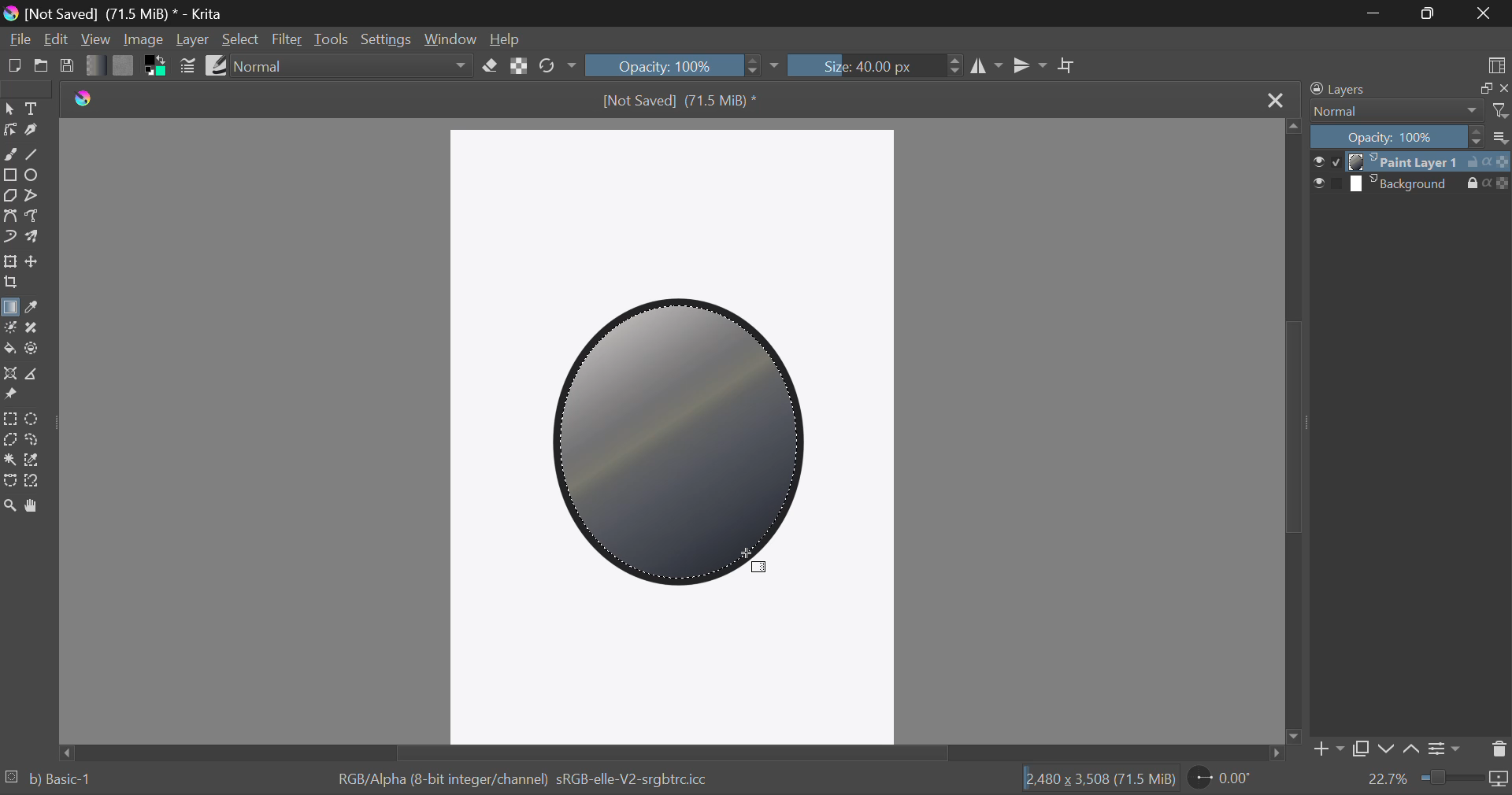  What do you see at coordinates (41, 66) in the screenshot?
I see `Open` at bounding box center [41, 66].